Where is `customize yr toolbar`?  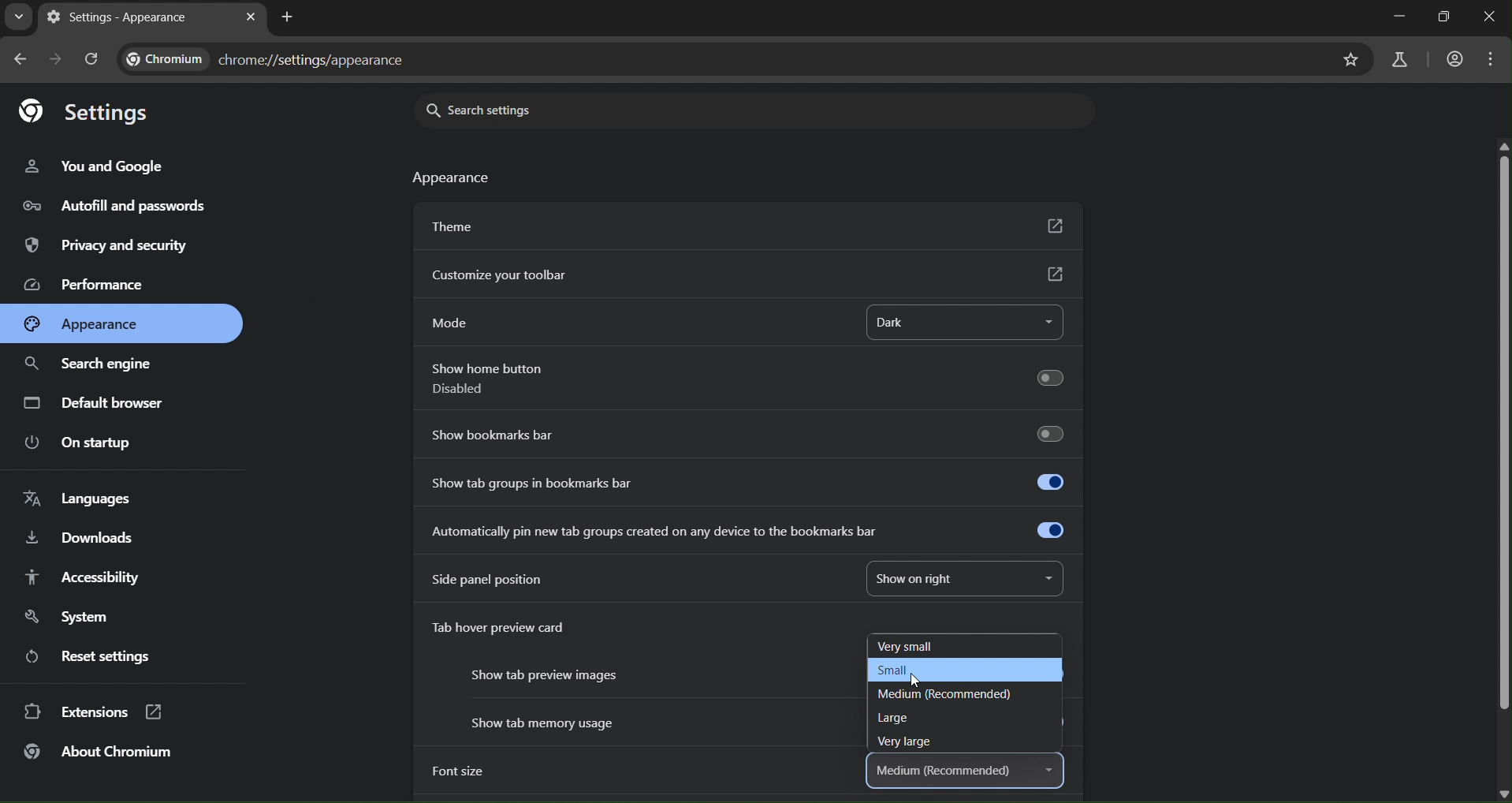
customize yr toolbar is located at coordinates (750, 275).